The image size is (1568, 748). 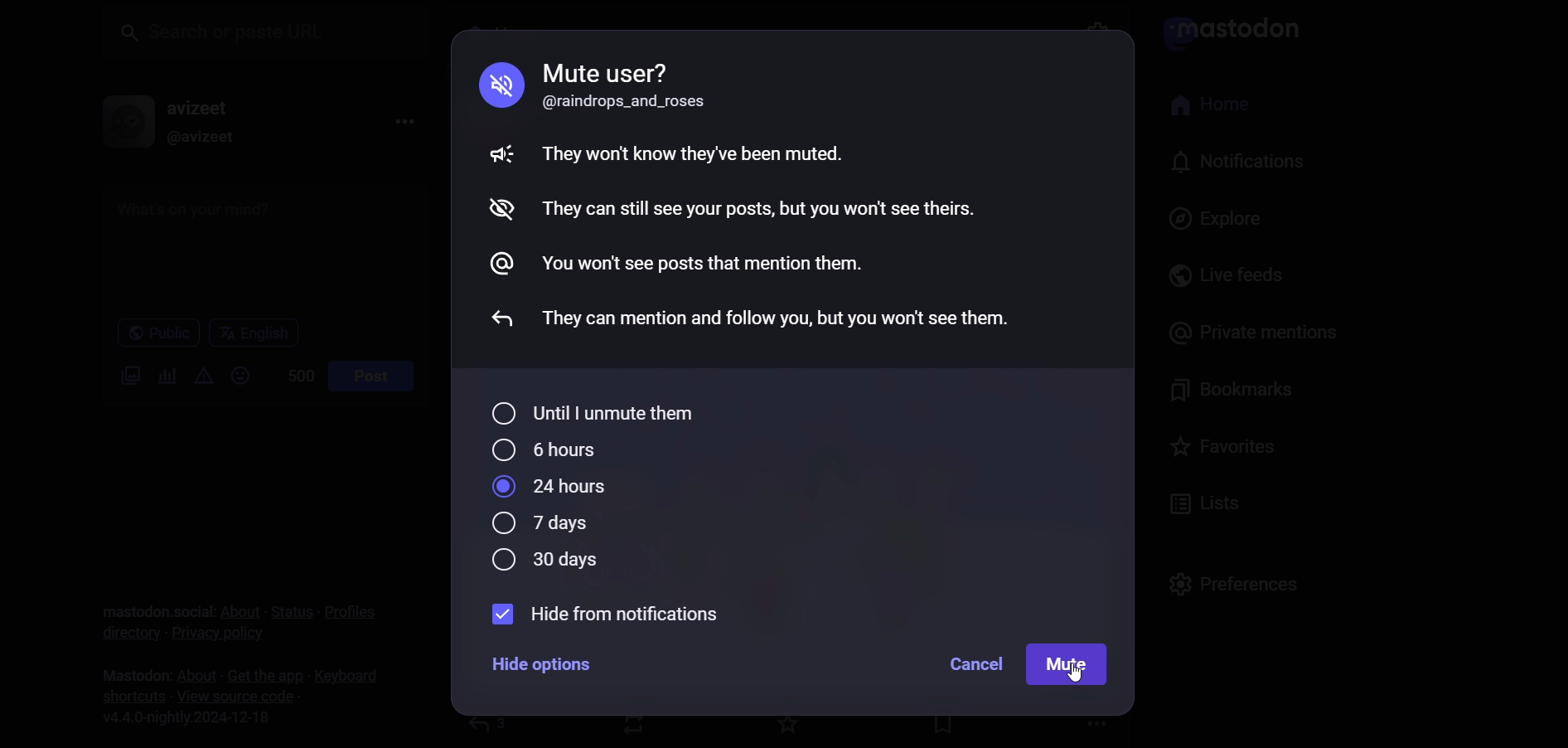 I want to click on 30 days, so click(x=542, y=563).